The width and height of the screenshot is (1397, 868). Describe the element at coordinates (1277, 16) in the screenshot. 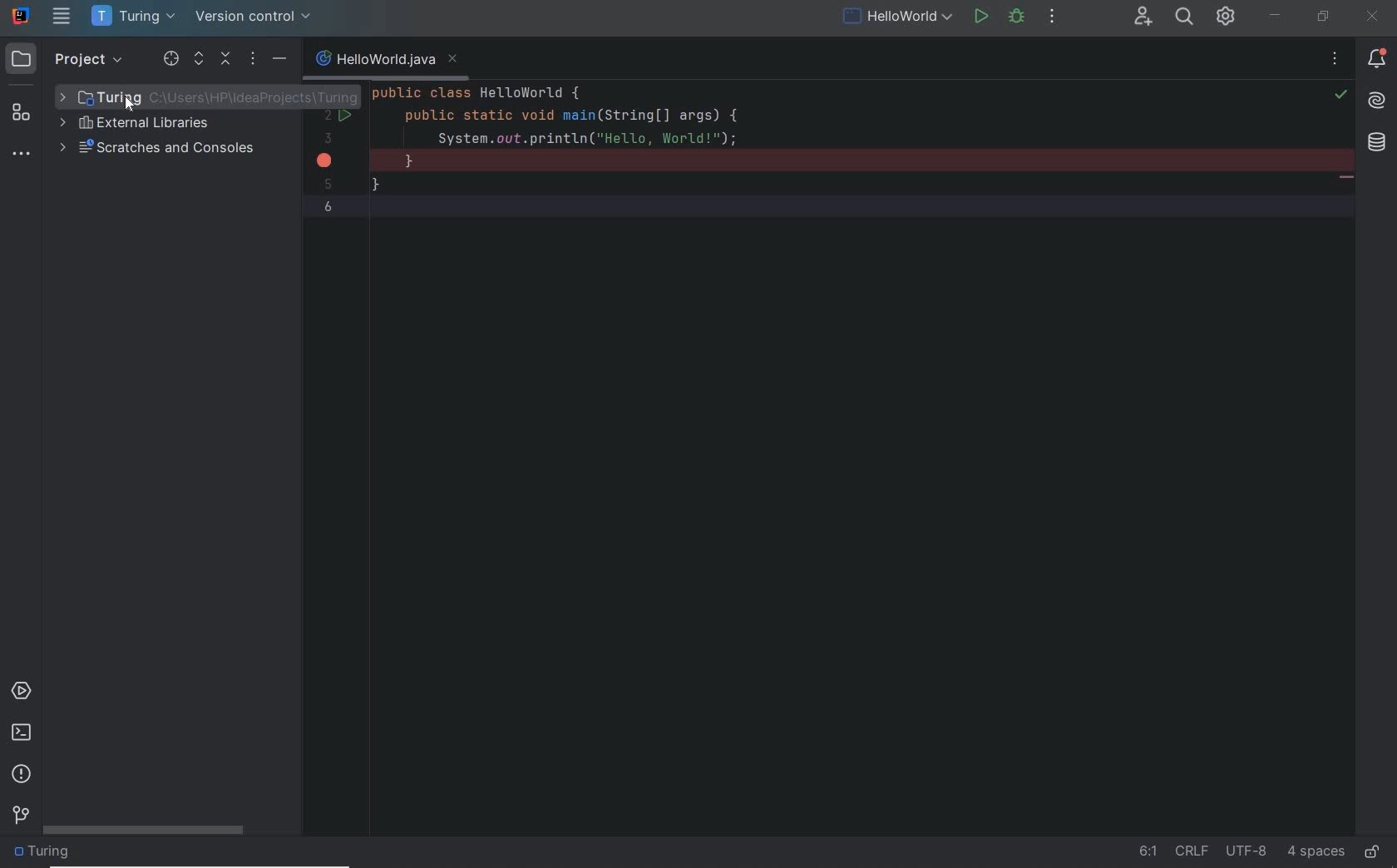

I see `MINIMIZE` at that location.